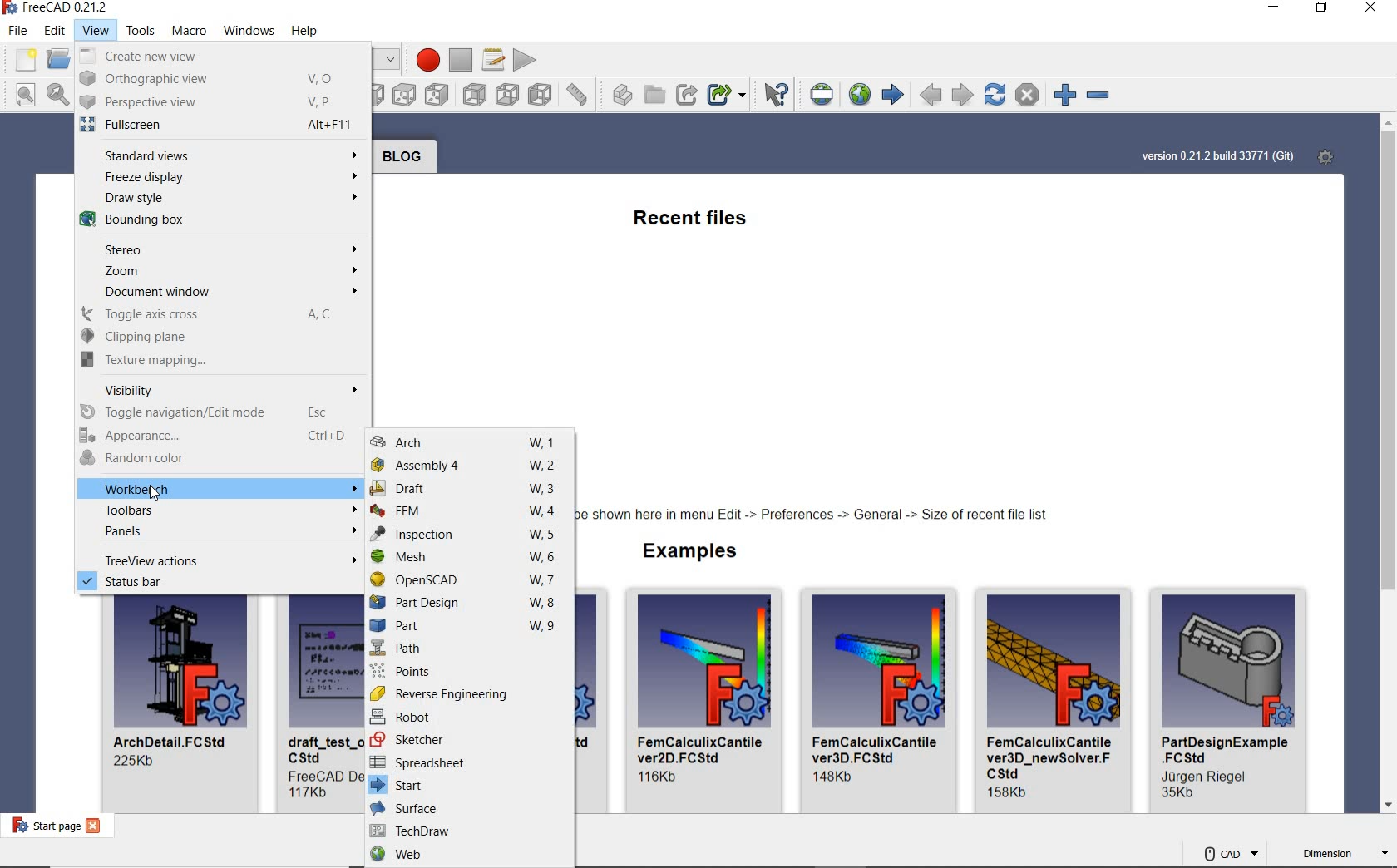 The image size is (1397, 868). I want to click on sketcher, so click(470, 742).